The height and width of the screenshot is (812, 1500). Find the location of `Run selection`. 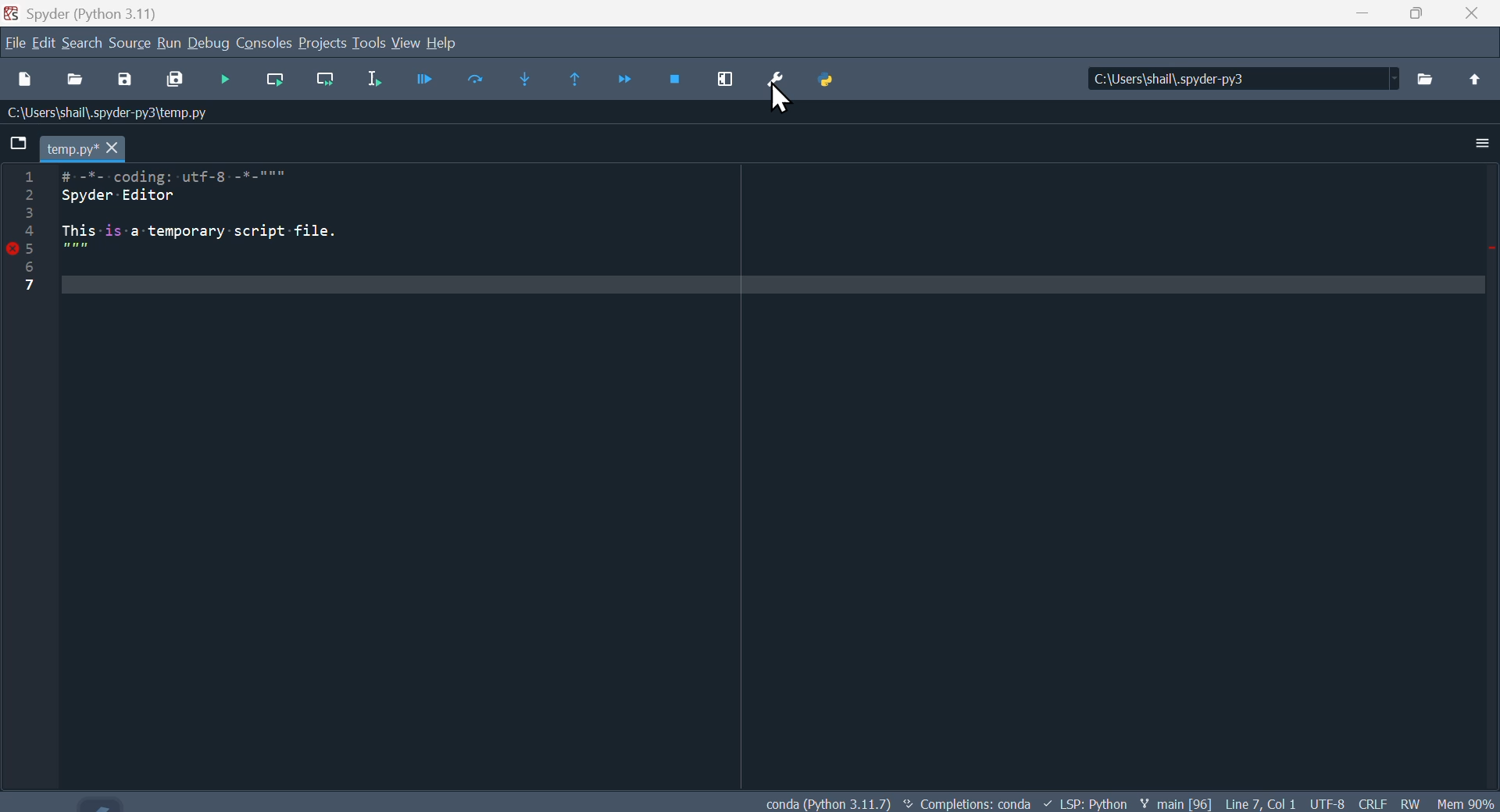

Run selection is located at coordinates (376, 82).